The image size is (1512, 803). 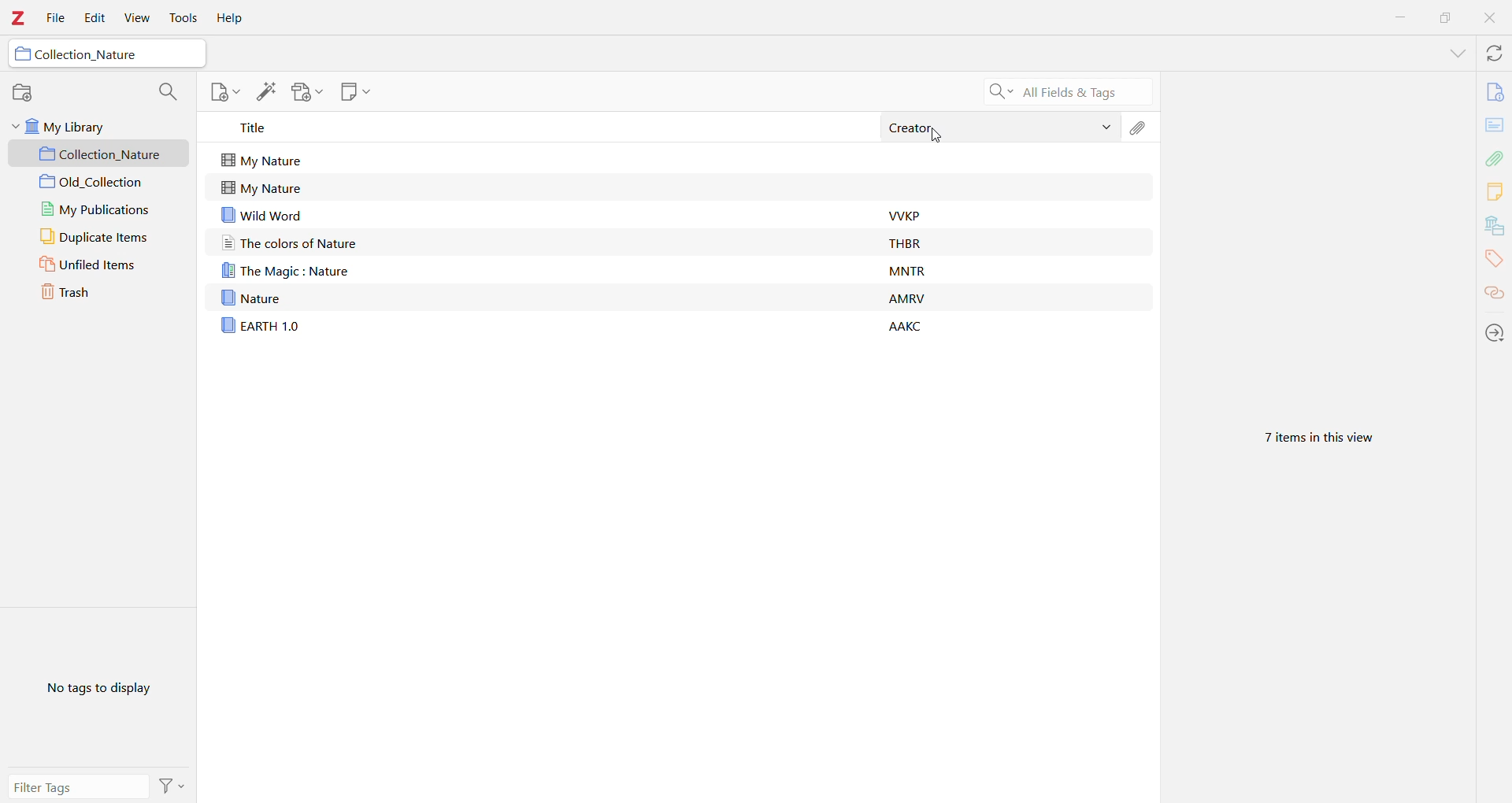 I want to click on Info, so click(x=1494, y=91).